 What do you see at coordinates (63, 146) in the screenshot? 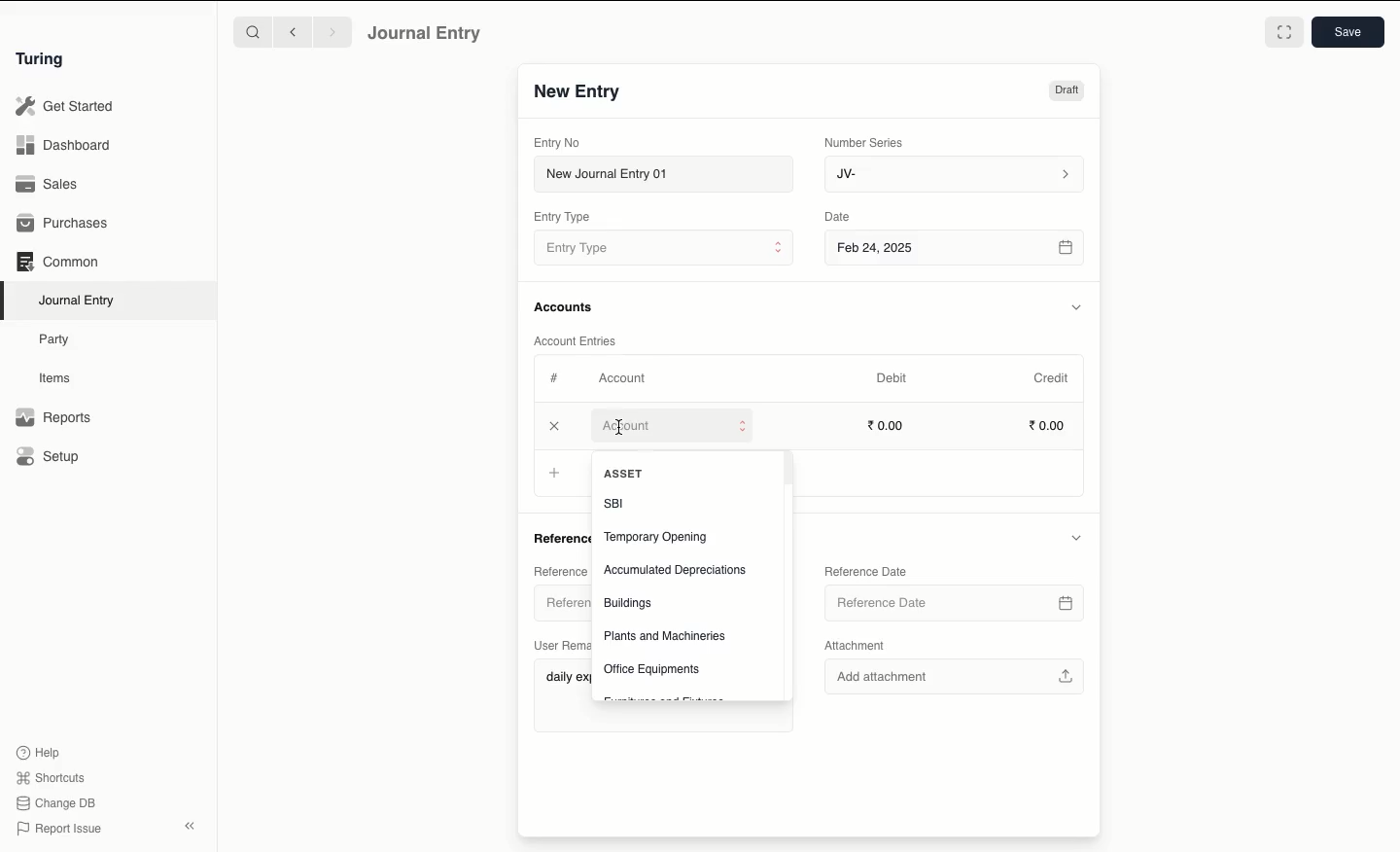
I see `Dashboard` at bounding box center [63, 146].